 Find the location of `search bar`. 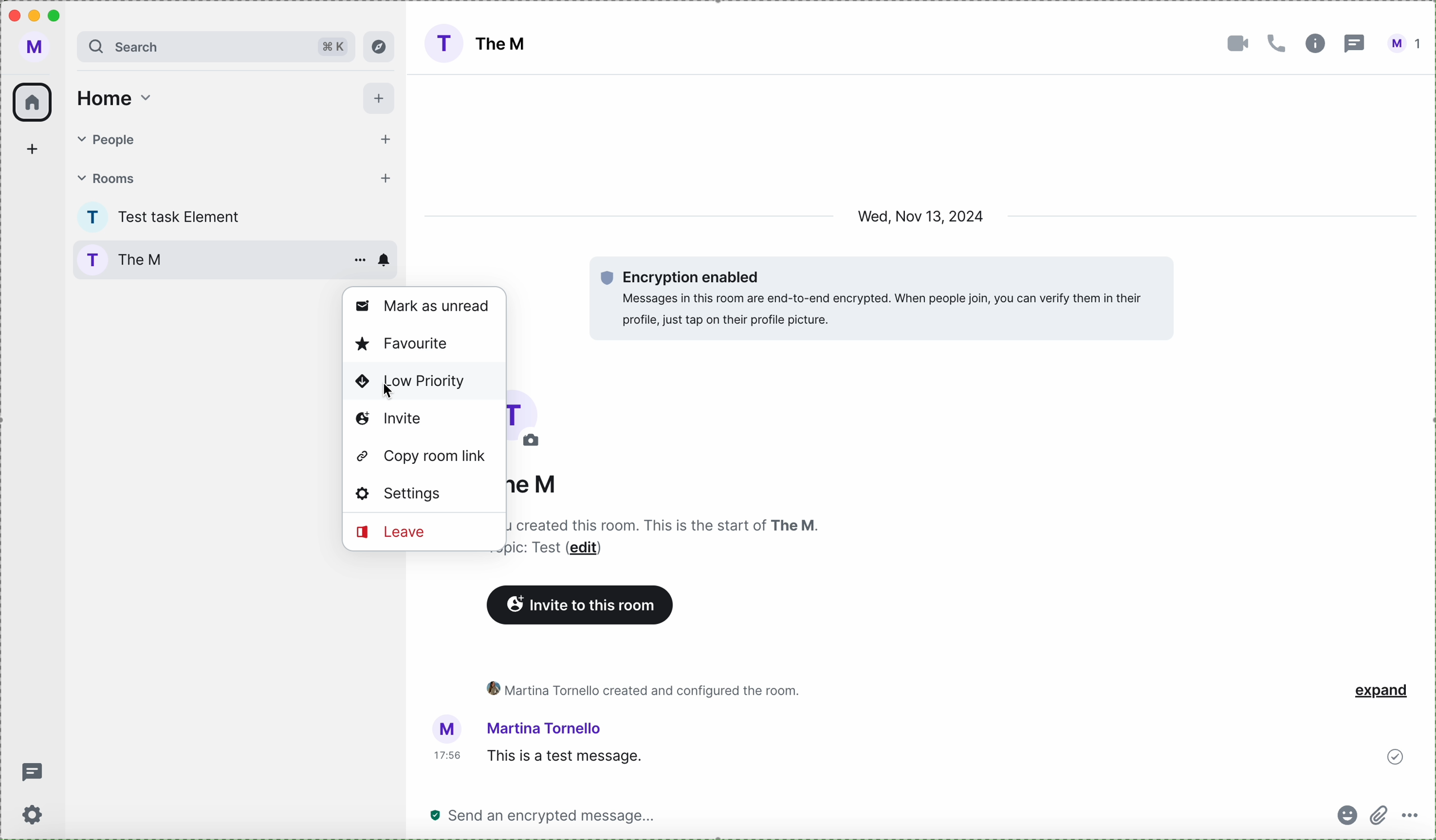

search bar is located at coordinates (183, 46).